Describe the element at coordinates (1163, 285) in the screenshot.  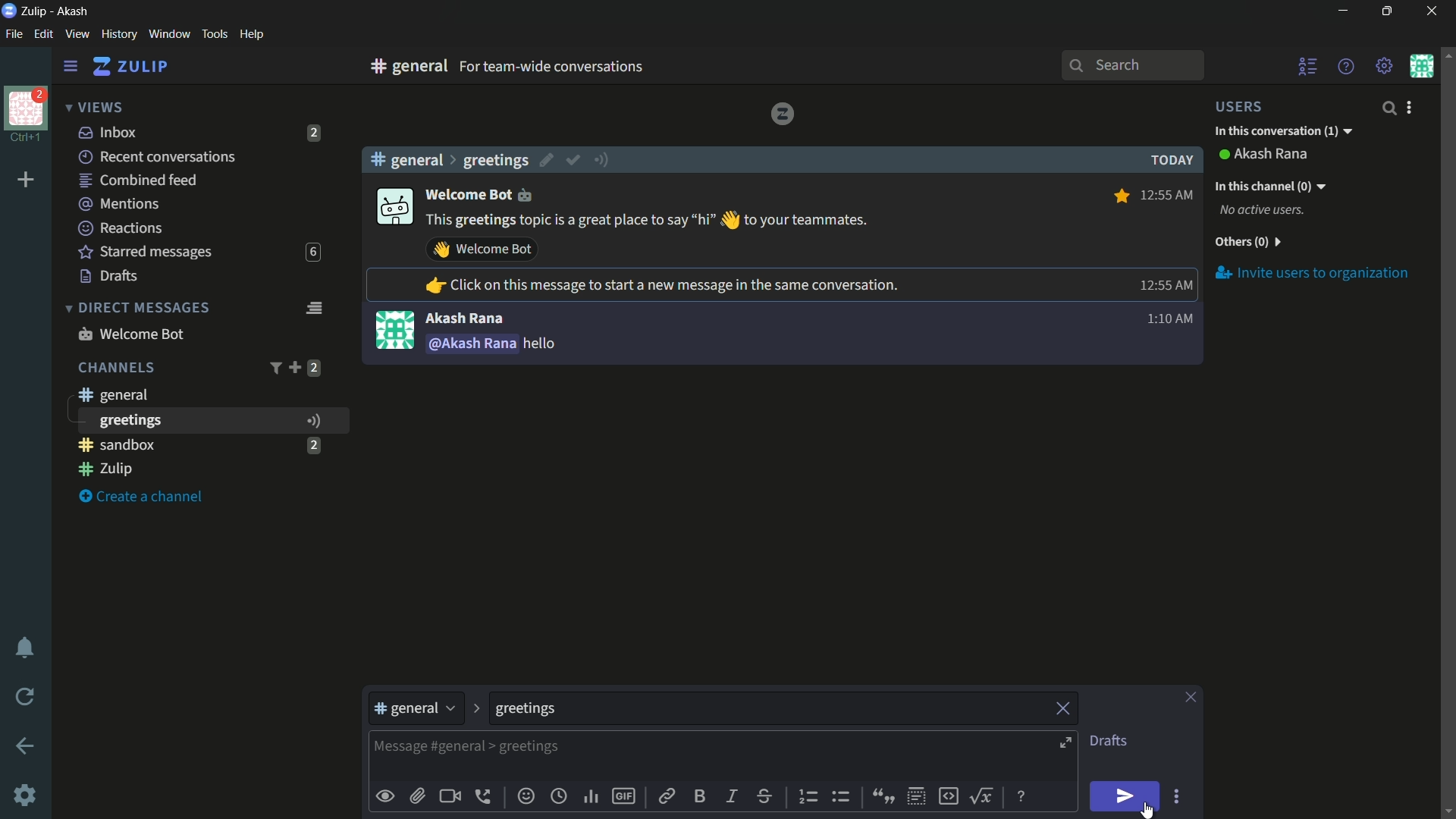
I see `12: 55 AM` at that location.